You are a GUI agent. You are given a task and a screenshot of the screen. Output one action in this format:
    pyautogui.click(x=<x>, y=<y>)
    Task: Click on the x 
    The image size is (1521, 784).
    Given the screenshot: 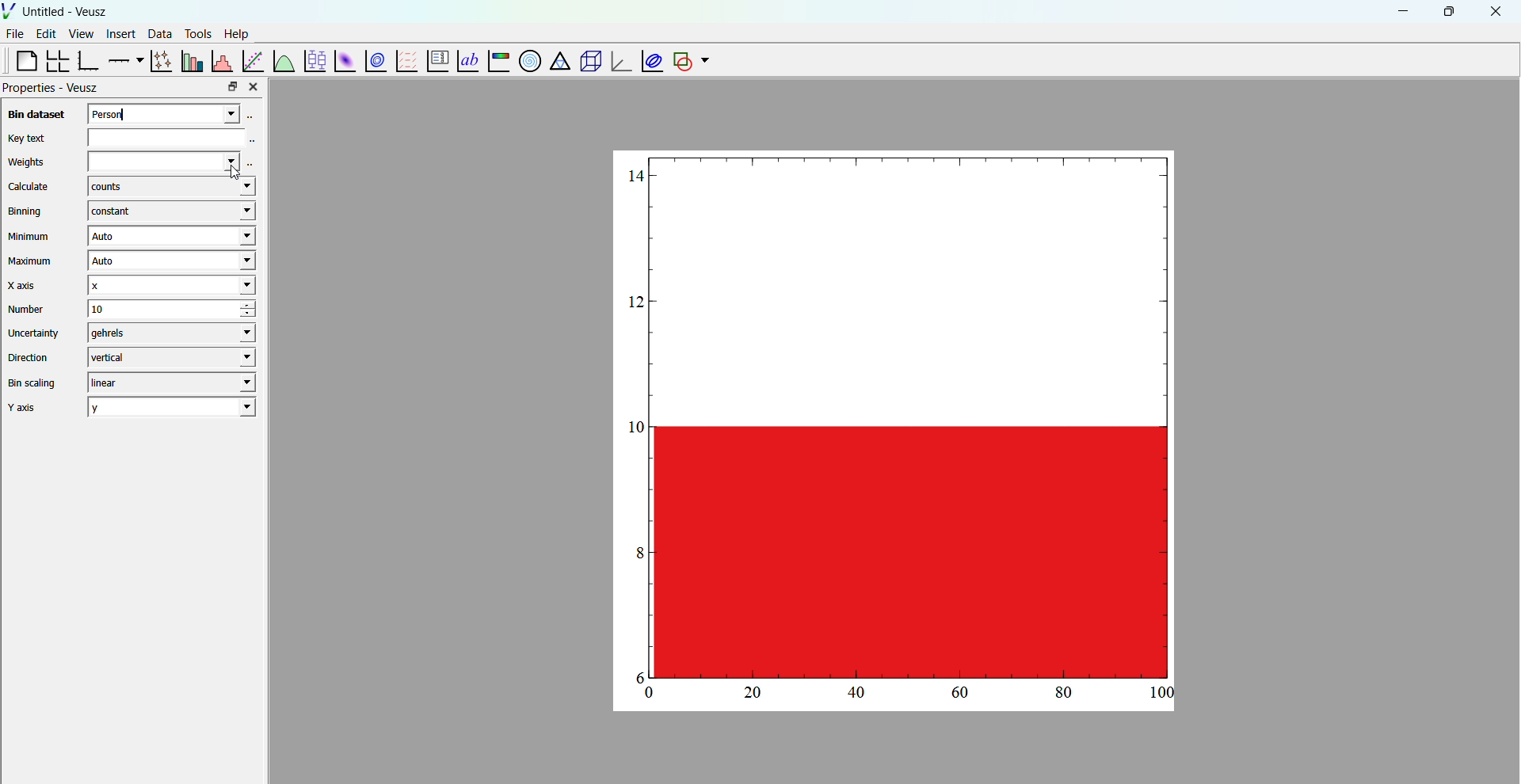 What is the action you would take?
    pyautogui.click(x=170, y=285)
    